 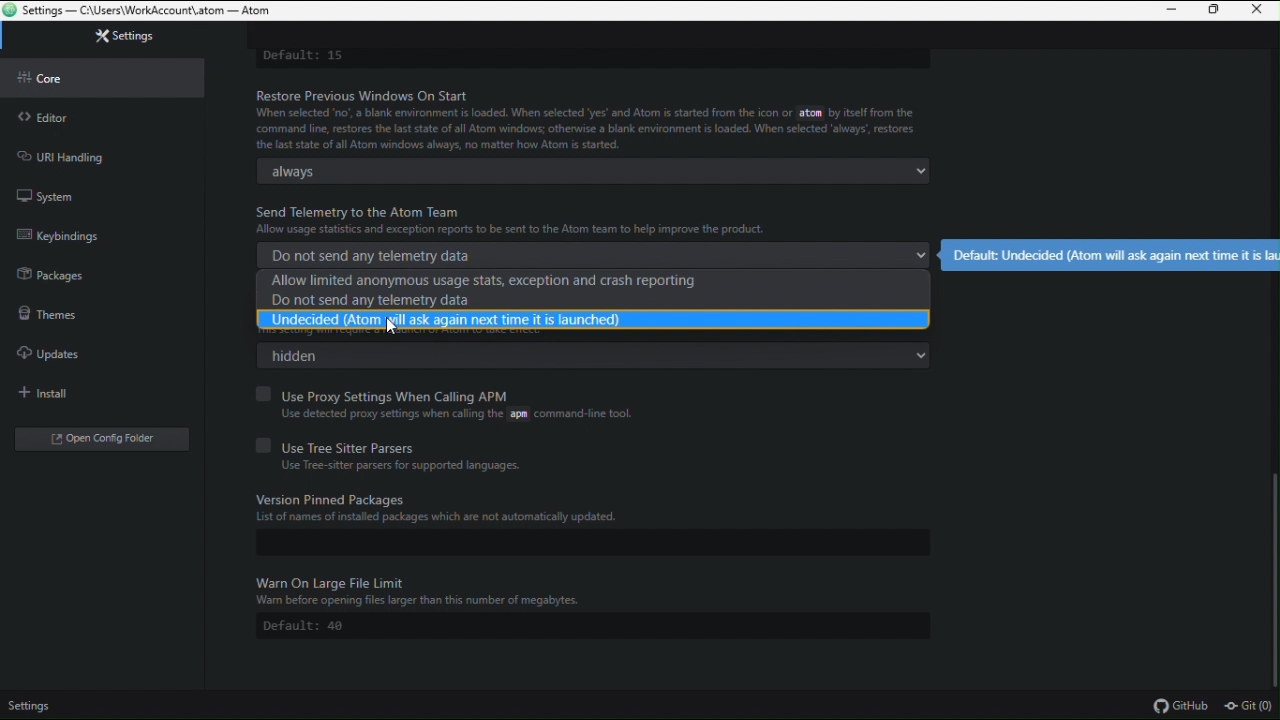 What do you see at coordinates (605, 174) in the screenshot?
I see `always ` at bounding box center [605, 174].